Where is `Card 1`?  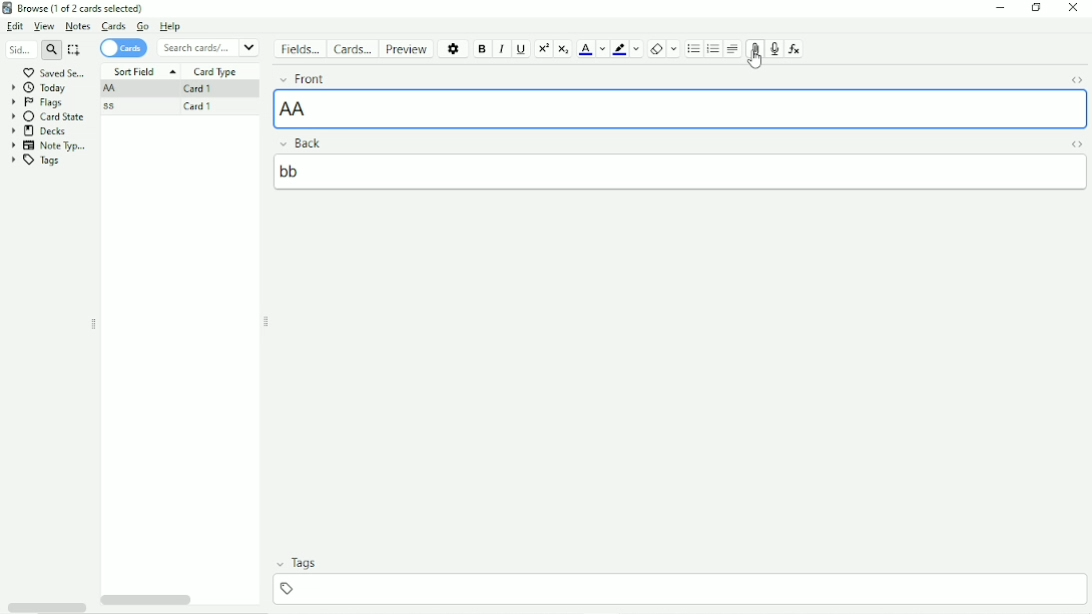 Card 1 is located at coordinates (199, 106).